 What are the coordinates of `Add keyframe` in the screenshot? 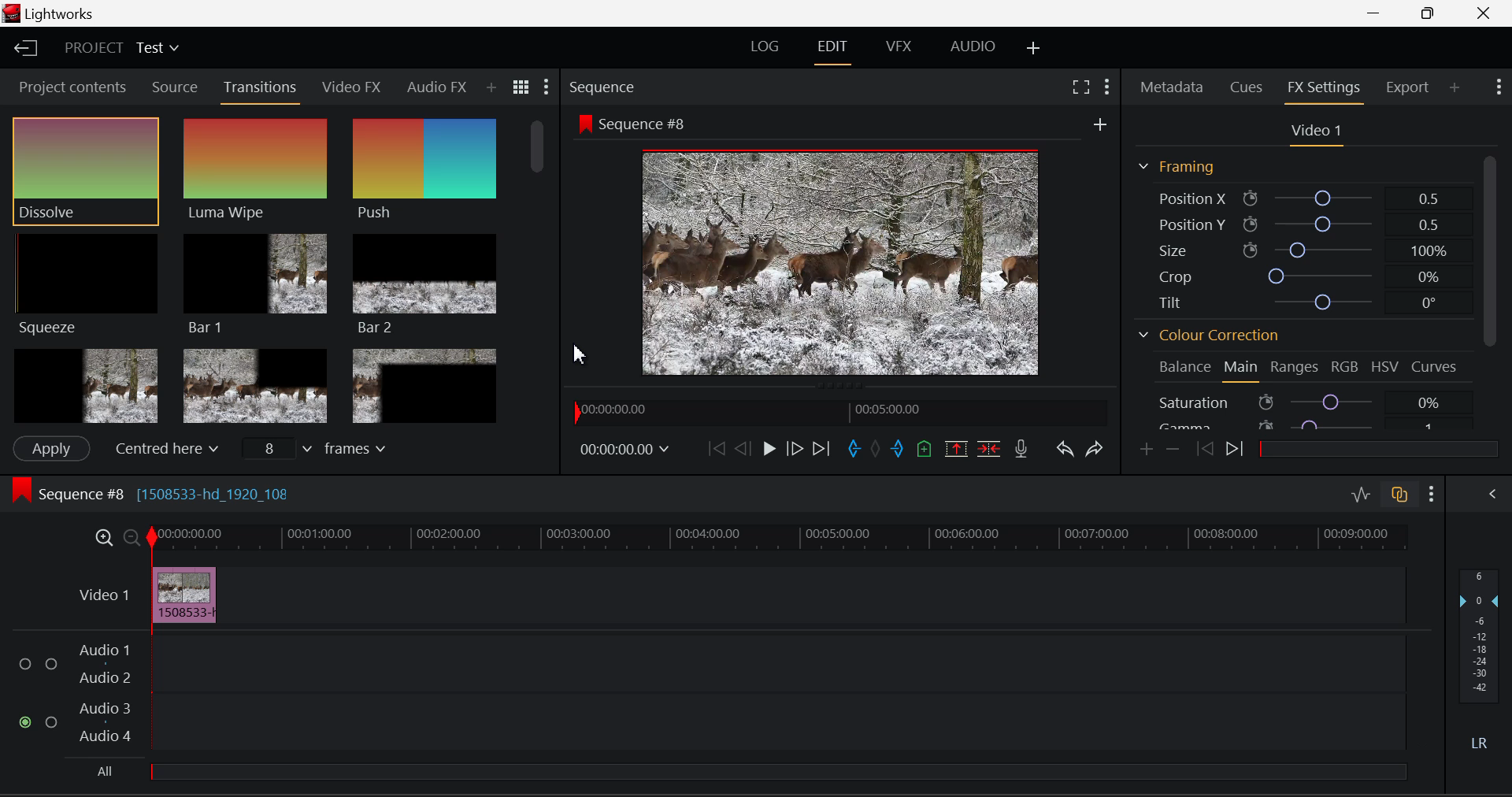 It's located at (1145, 450).